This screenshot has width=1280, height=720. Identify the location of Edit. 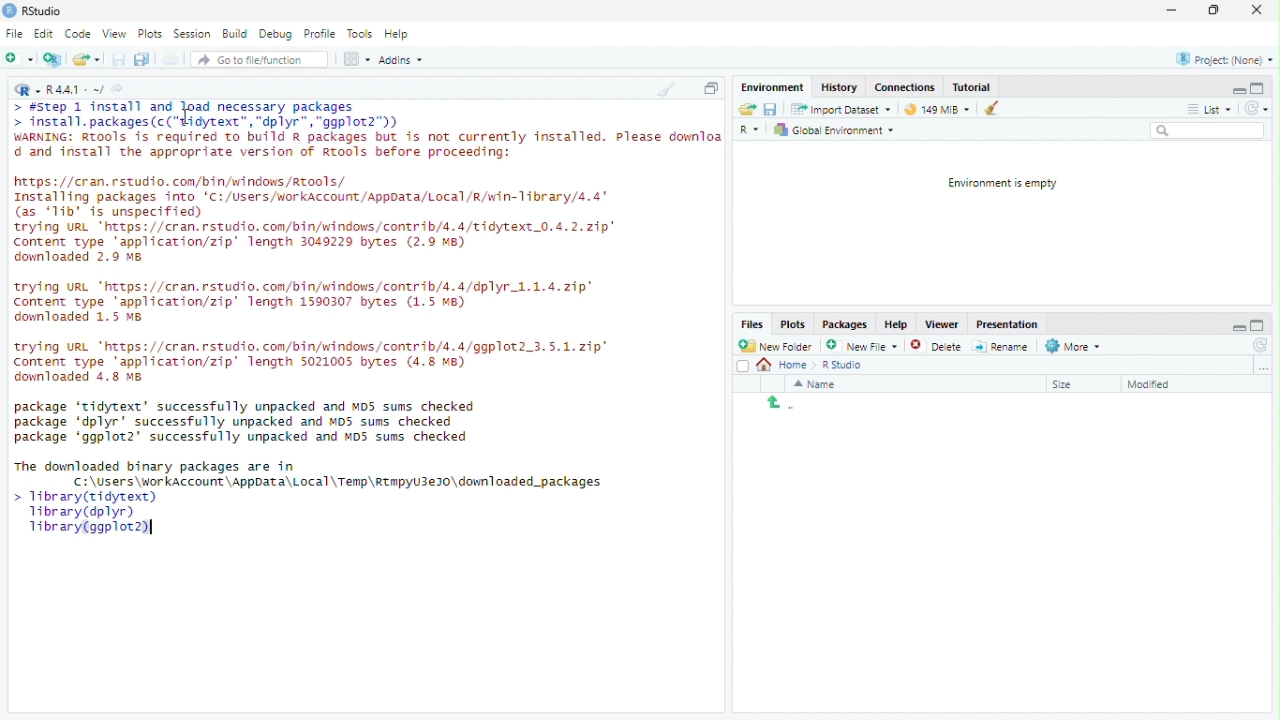
(44, 34).